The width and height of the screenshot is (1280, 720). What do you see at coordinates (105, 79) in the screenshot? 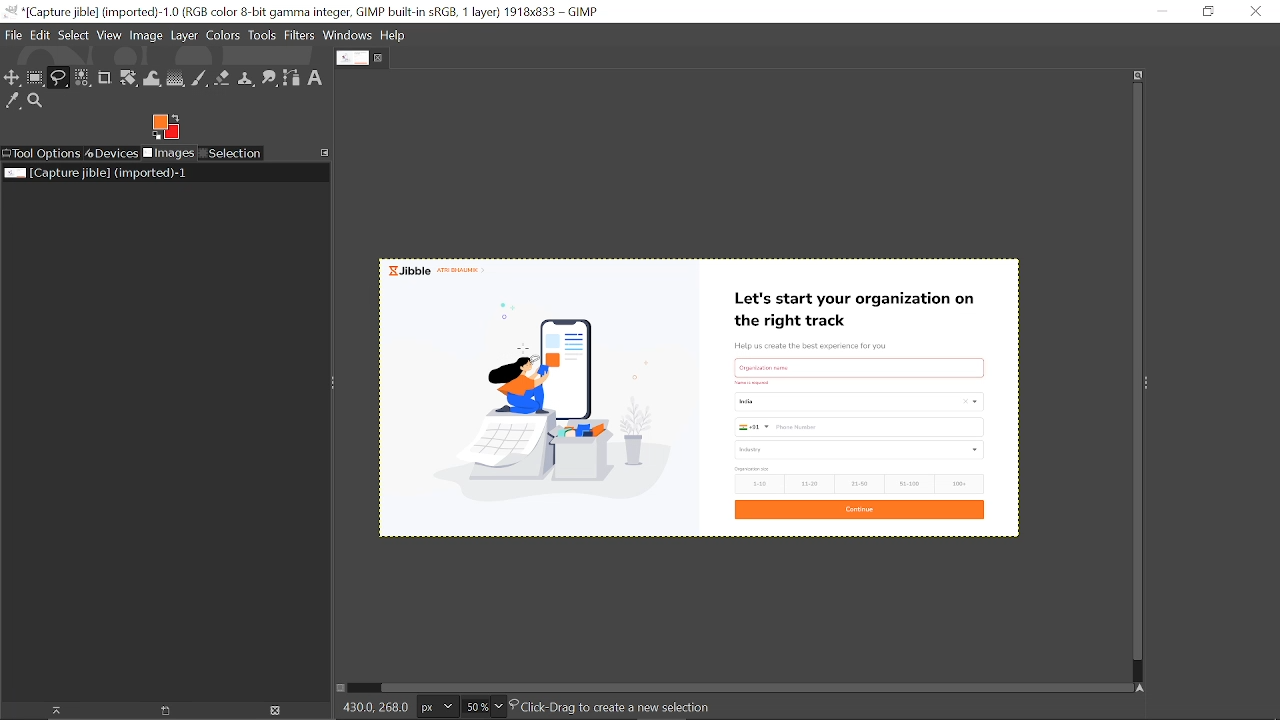
I see `Crop text tool` at bounding box center [105, 79].